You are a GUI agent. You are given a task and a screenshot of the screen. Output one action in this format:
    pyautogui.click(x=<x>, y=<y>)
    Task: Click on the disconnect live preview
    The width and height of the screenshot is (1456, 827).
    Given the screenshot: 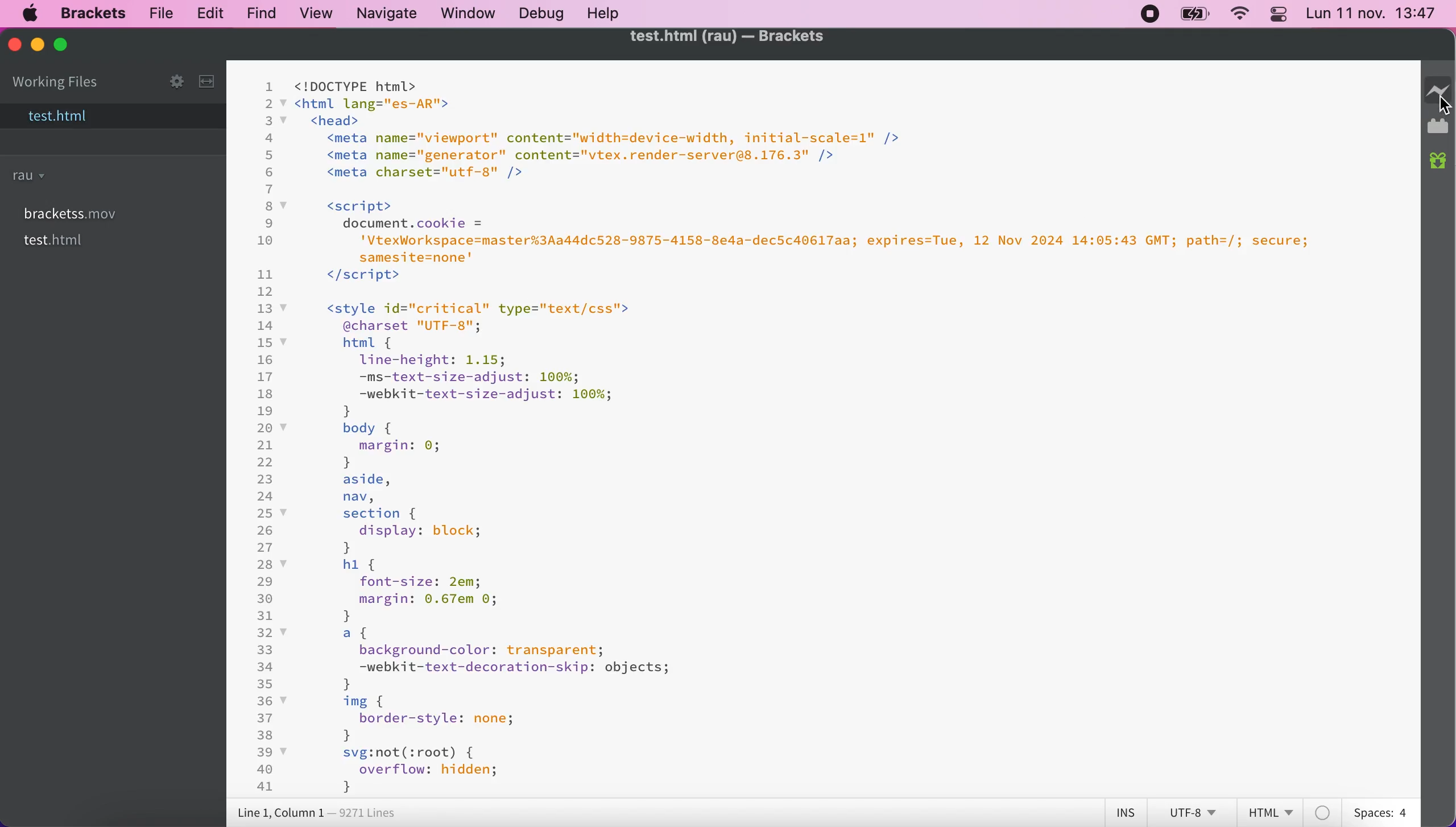 What is the action you would take?
    pyautogui.click(x=1439, y=90)
    